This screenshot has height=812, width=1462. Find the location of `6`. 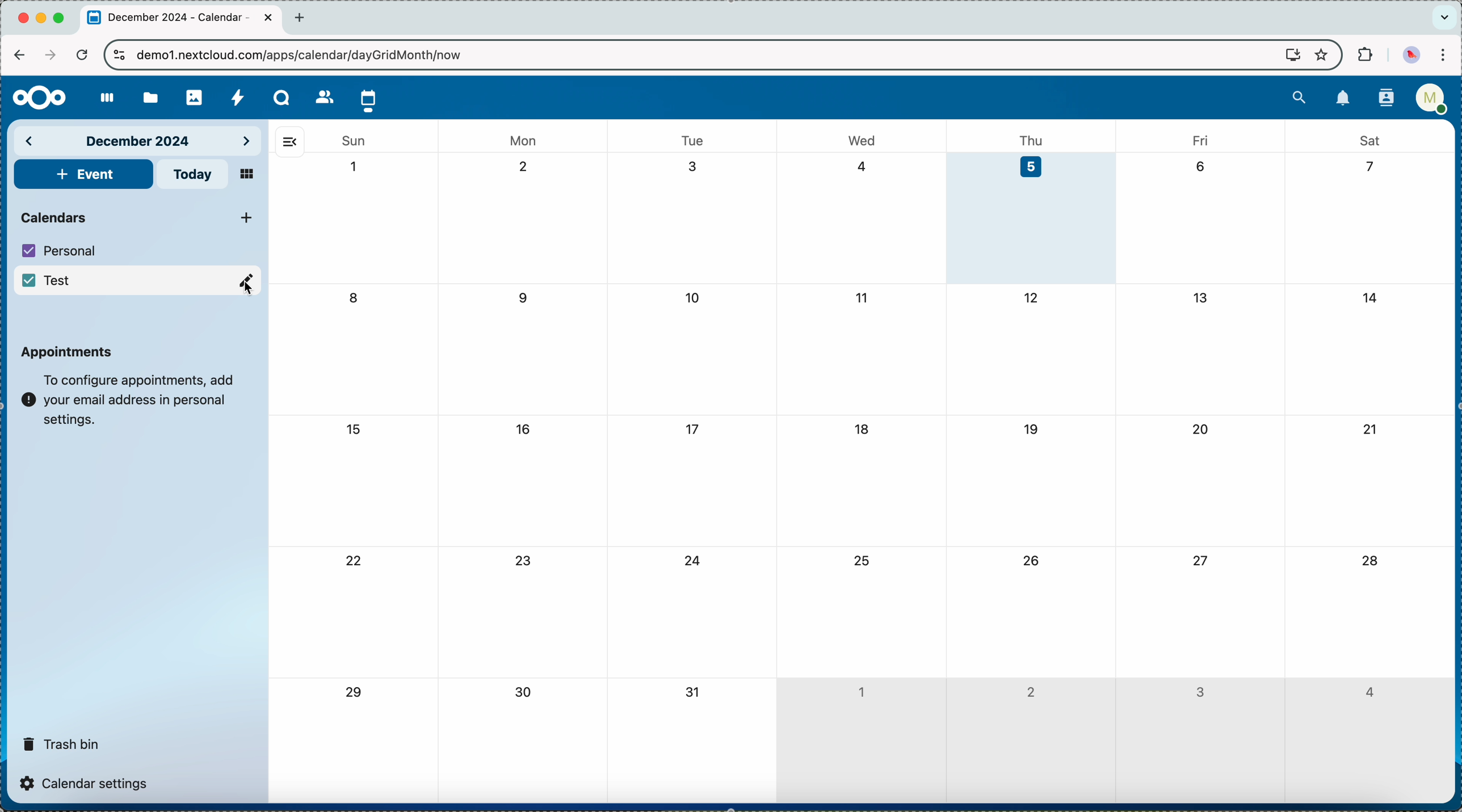

6 is located at coordinates (1200, 165).